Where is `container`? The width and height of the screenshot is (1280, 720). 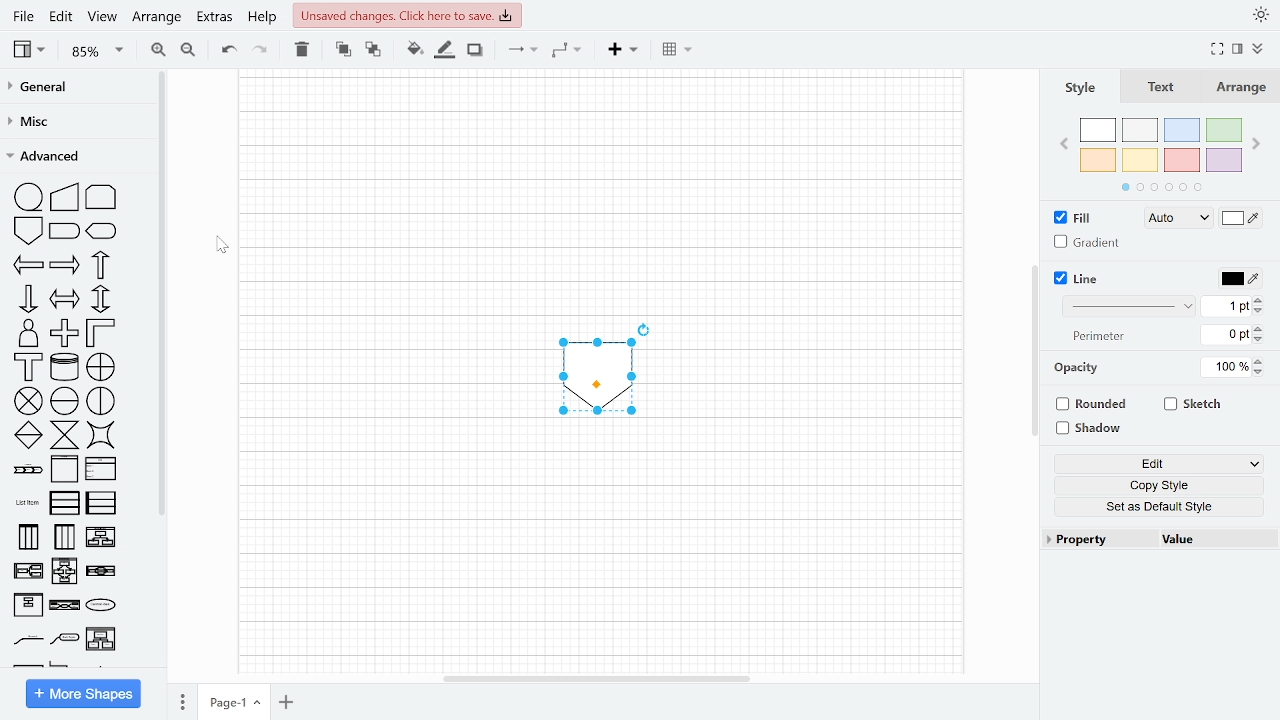 container is located at coordinates (64, 471).